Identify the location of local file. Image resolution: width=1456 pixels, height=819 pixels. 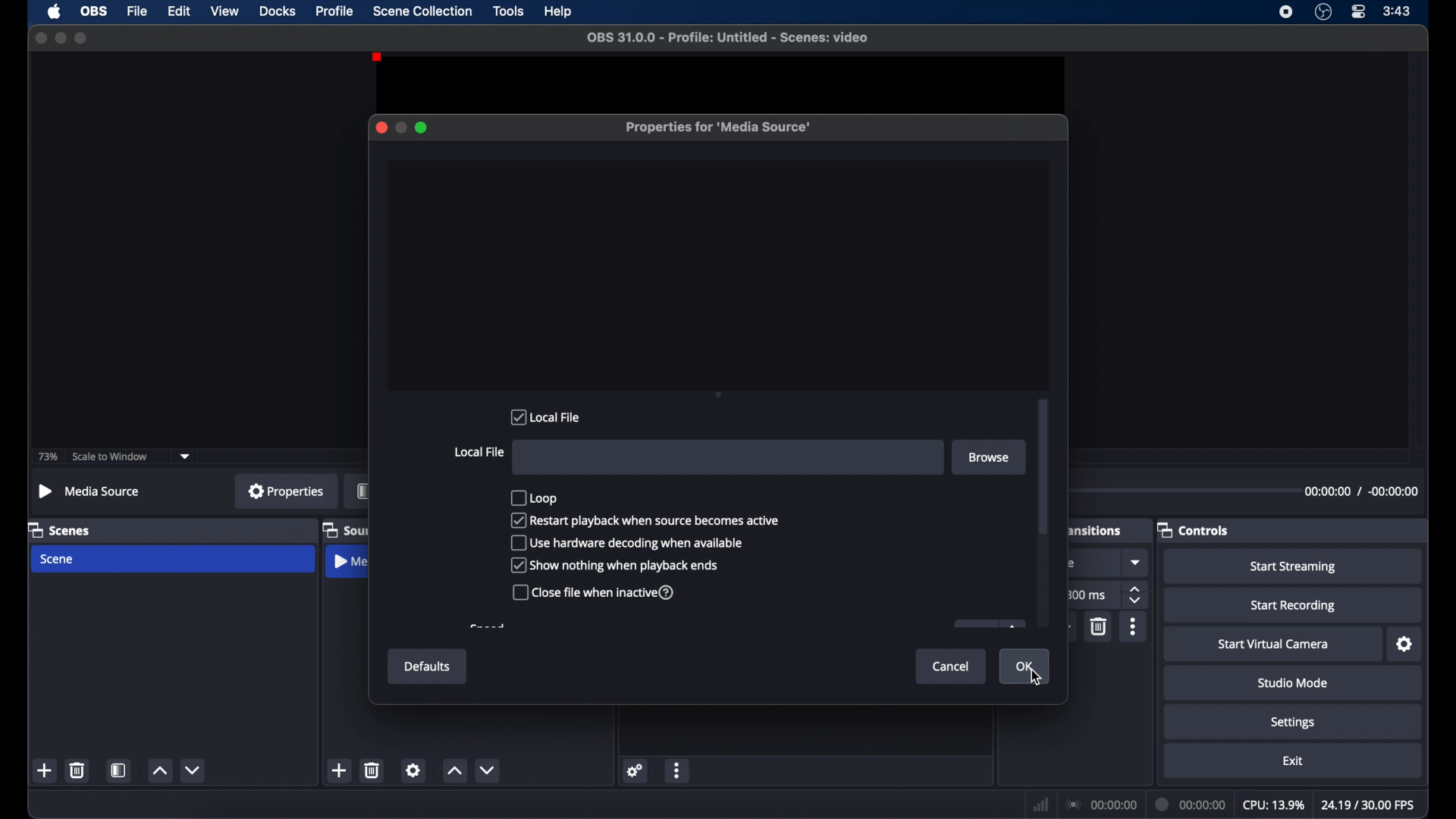
(479, 452).